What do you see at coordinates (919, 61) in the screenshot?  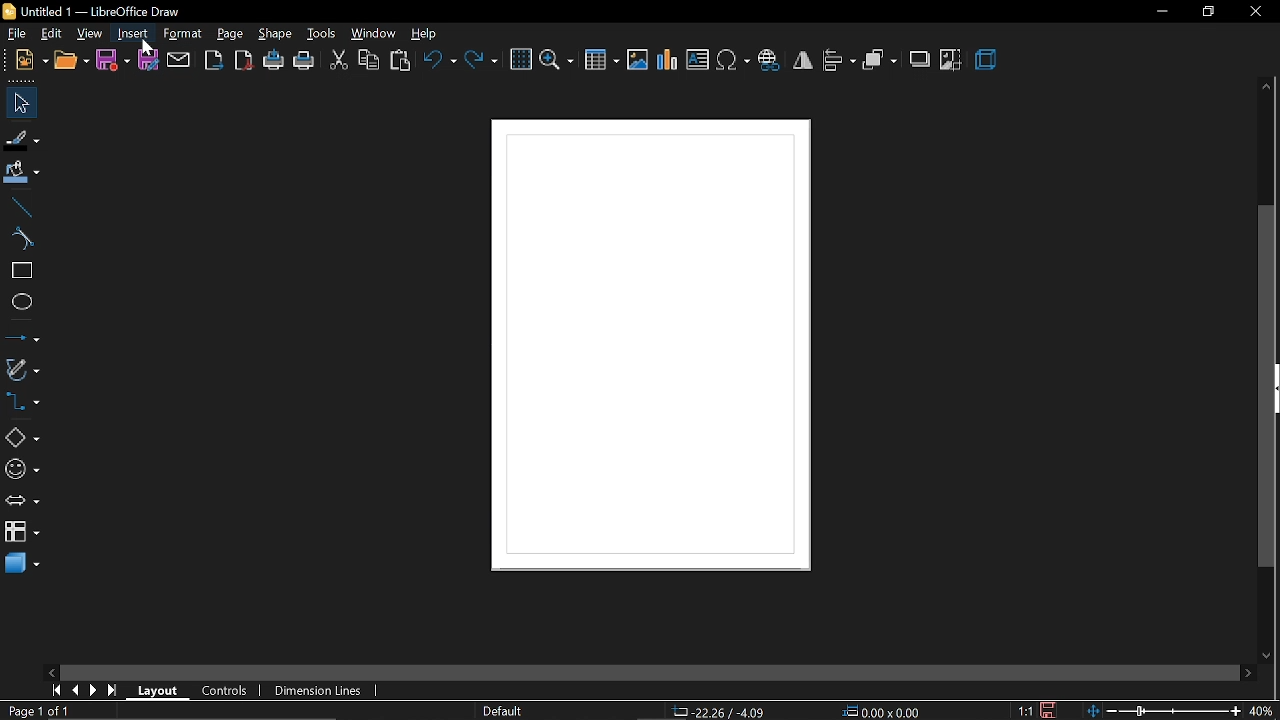 I see `shadow` at bounding box center [919, 61].